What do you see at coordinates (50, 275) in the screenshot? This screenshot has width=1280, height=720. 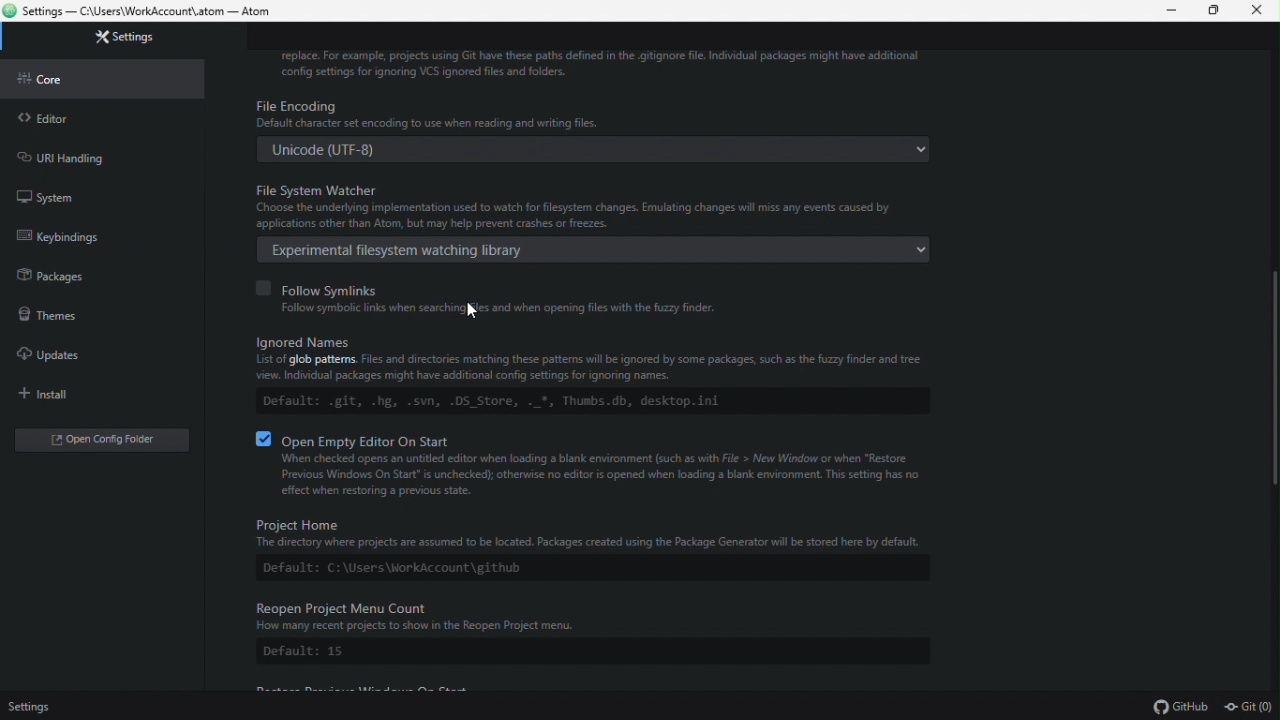 I see `Packages` at bounding box center [50, 275].